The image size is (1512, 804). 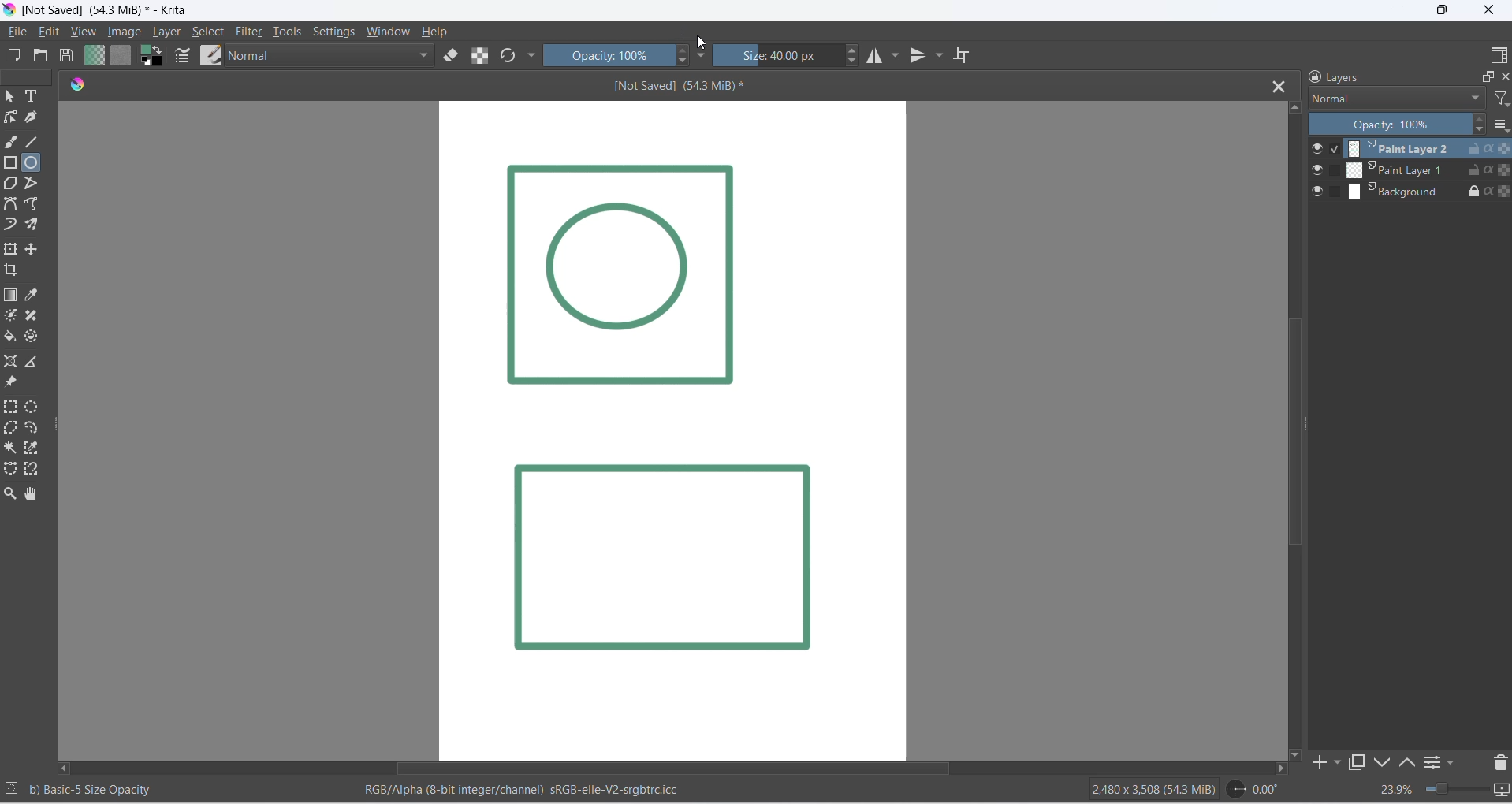 What do you see at coordinates (13, 384) in the screenshot?
I see `reference image tool` at bounding box center [13, 384].